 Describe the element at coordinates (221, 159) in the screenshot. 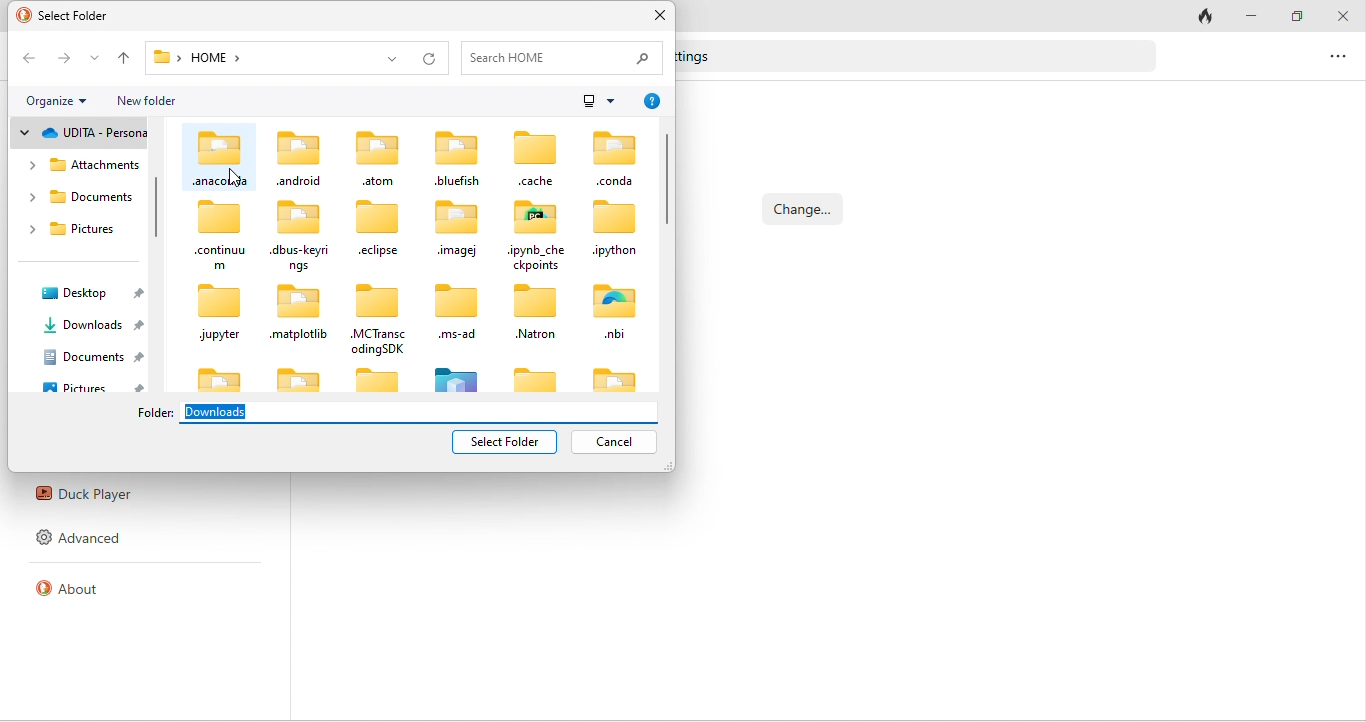

I see `.anaconda` at that location.